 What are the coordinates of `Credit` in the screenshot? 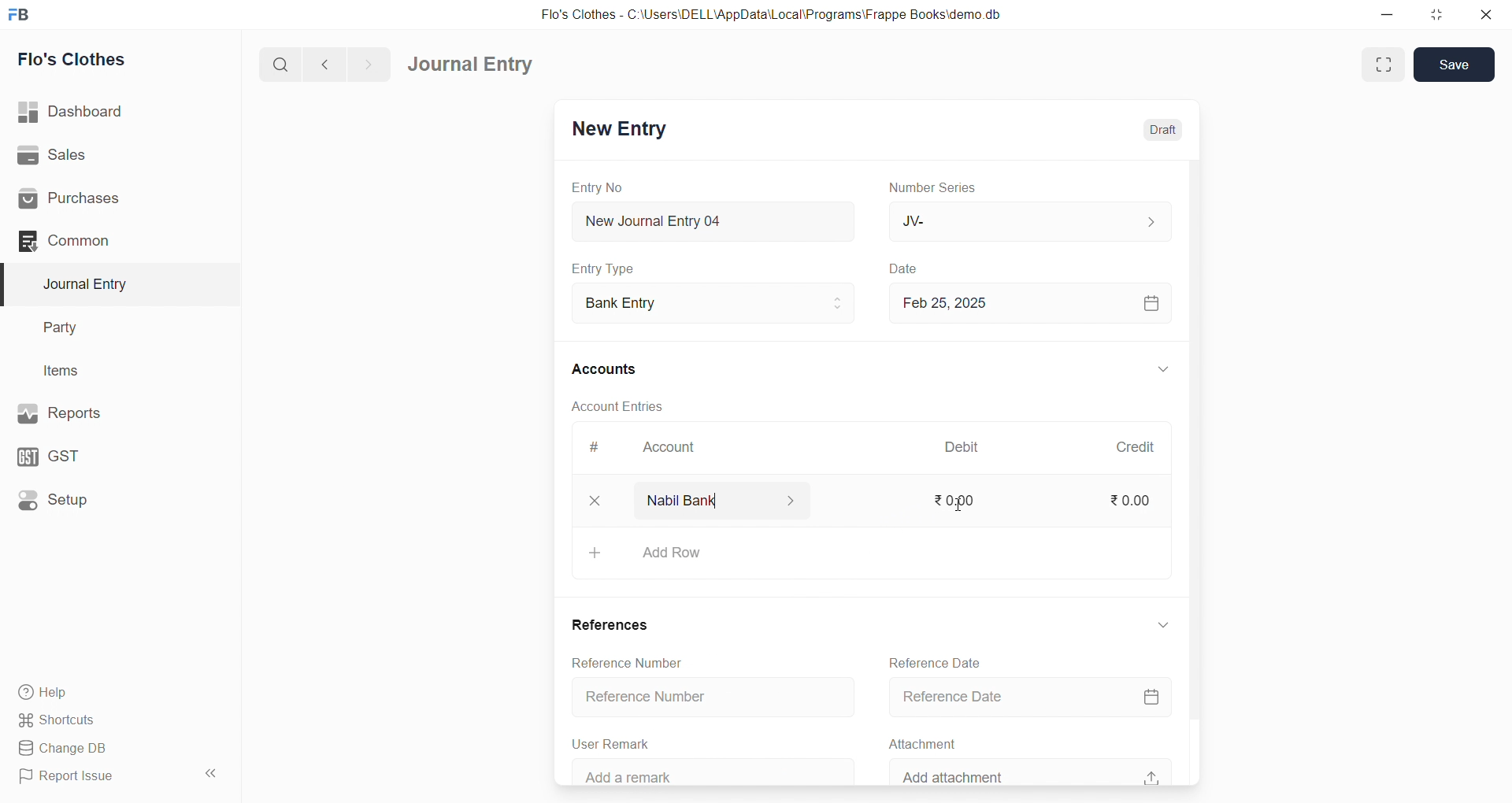 It's located at (1135, 447).